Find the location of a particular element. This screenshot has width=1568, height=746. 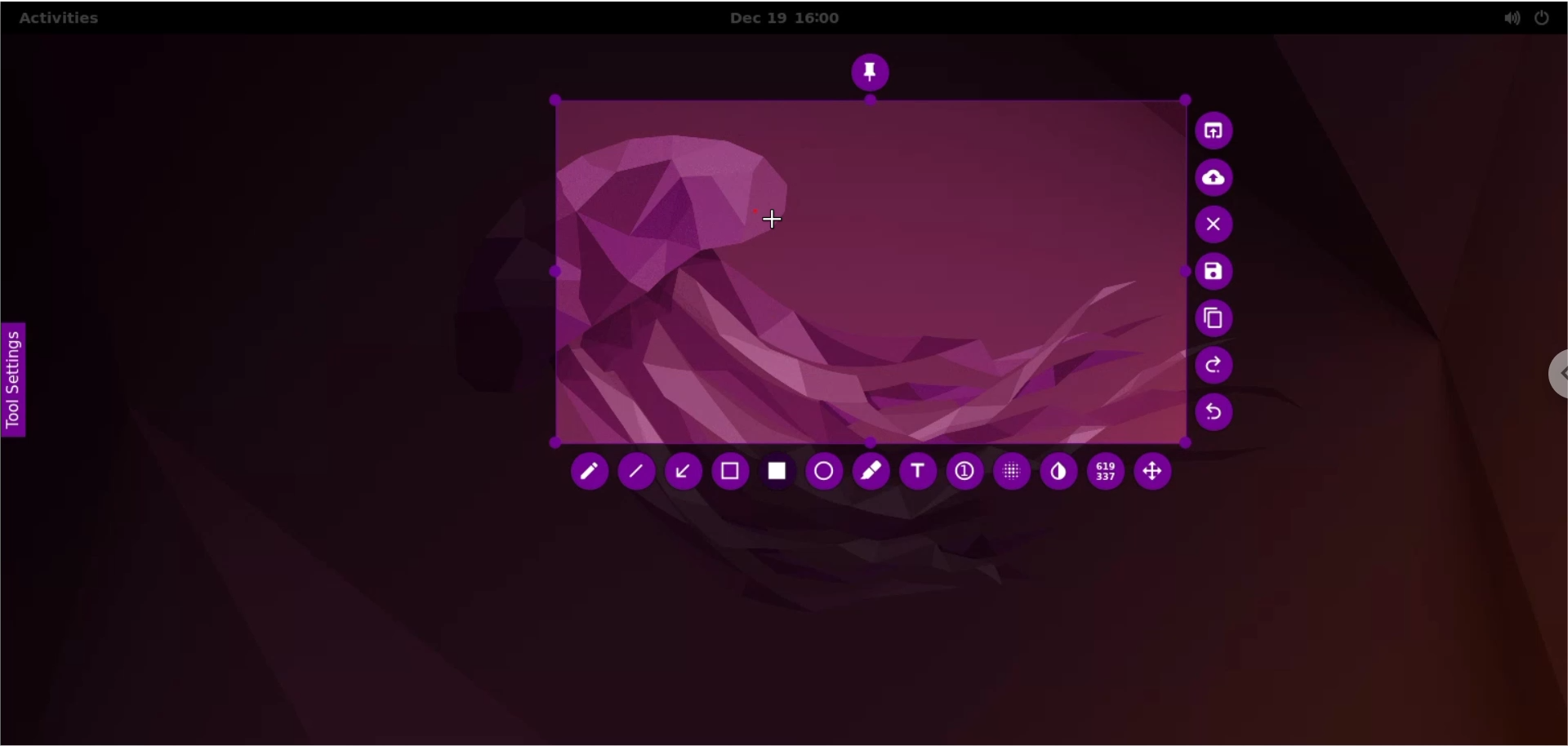

undo  is located at coordinates (1214, 416).